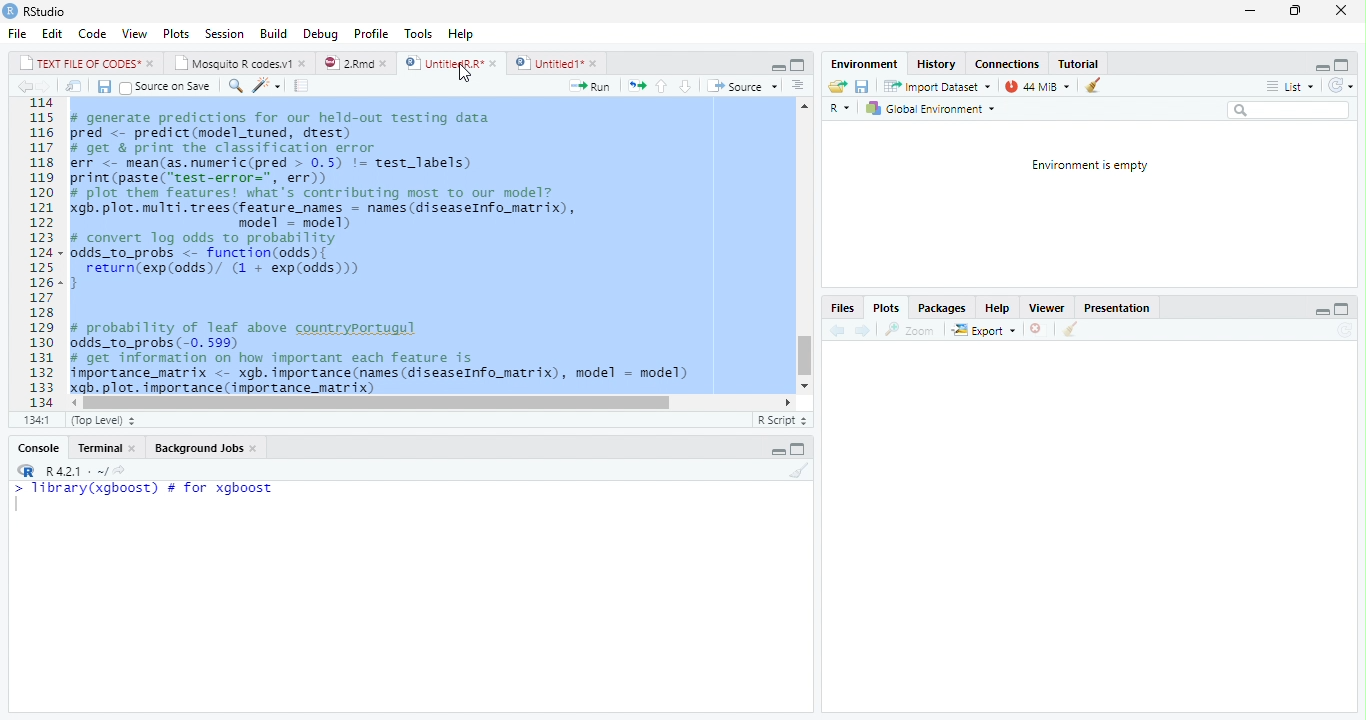 The width and height of the screenshot is (1366, 720). What do you see at coordinates (233, 85) in the screenshot?
I see `Find/Replace` at bounding box center [233, 85].